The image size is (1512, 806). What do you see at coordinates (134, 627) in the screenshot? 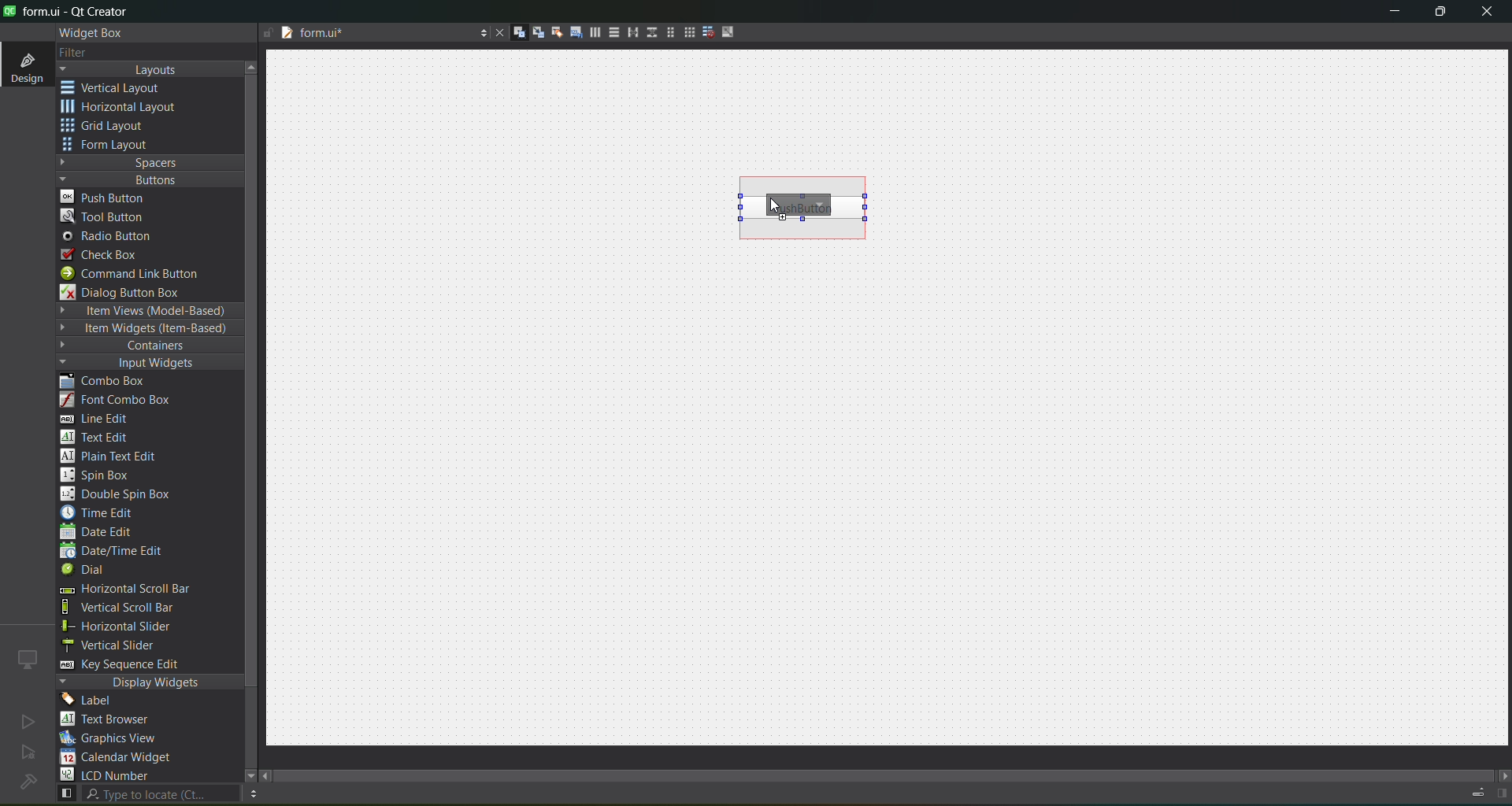
I see `horizontal slider` at bounding box center [134, 627].